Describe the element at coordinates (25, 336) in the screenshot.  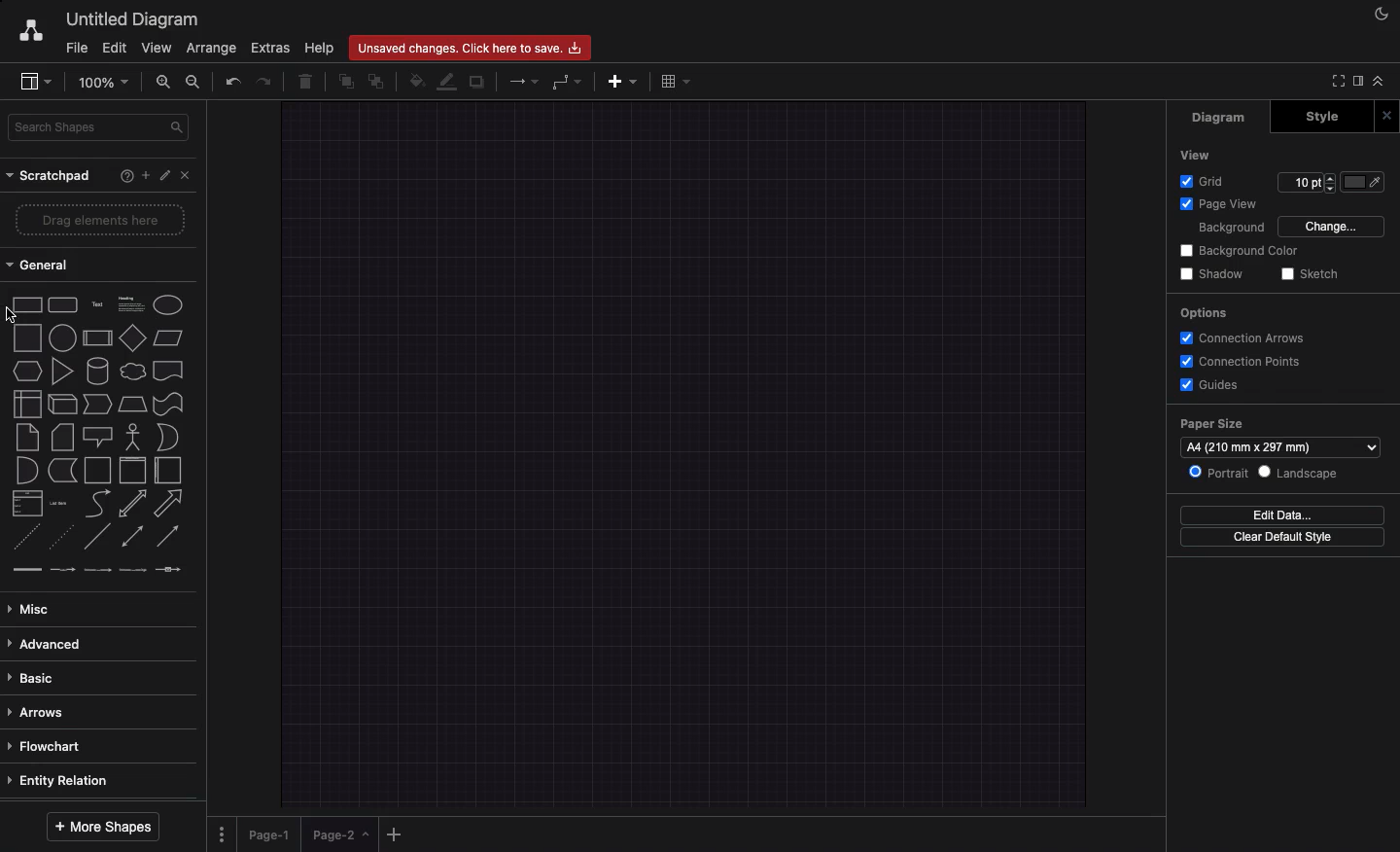
I see `square` at that location.